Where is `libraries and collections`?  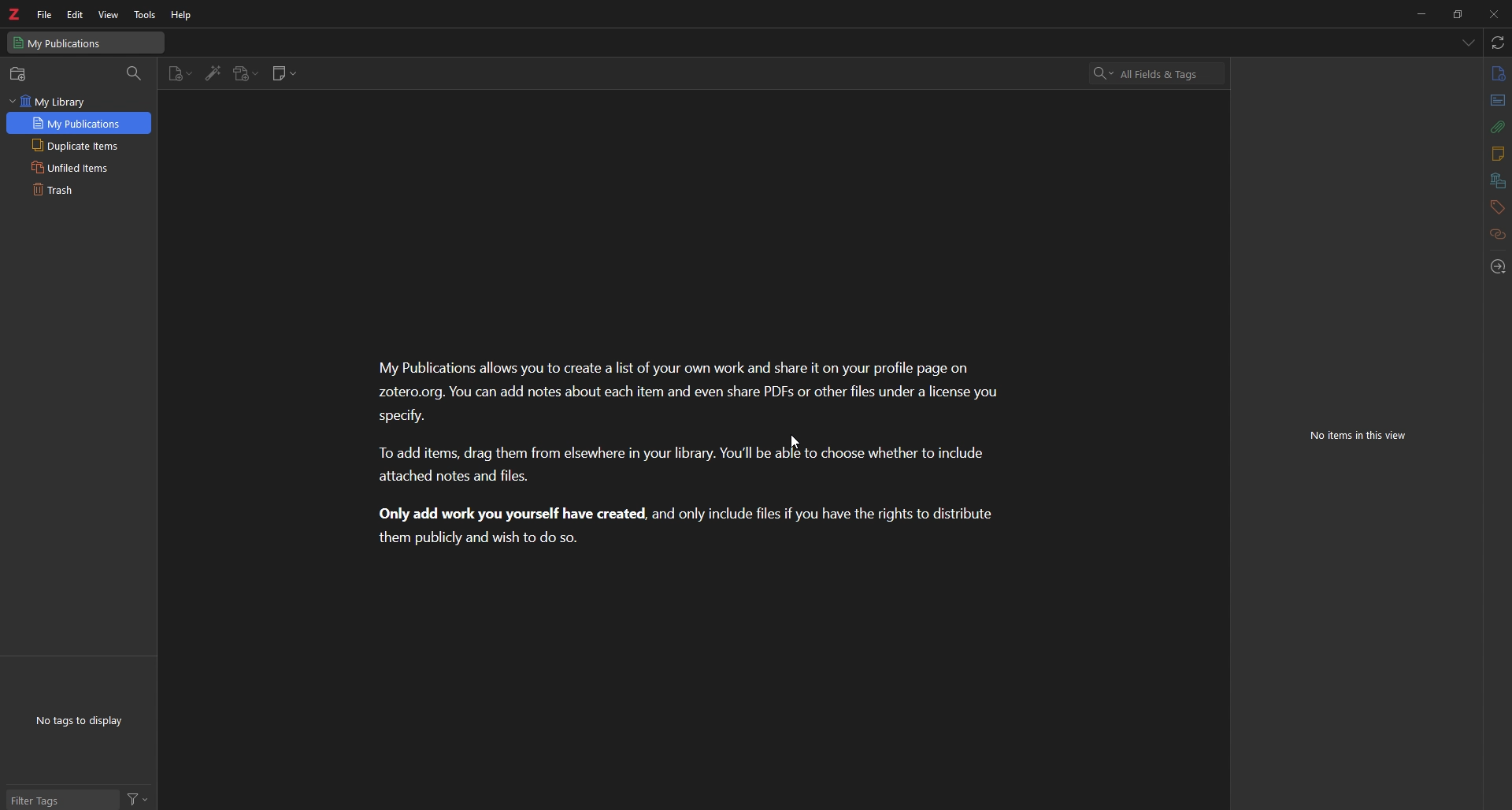 libraries and collections is located at coordinates (1499, 180).